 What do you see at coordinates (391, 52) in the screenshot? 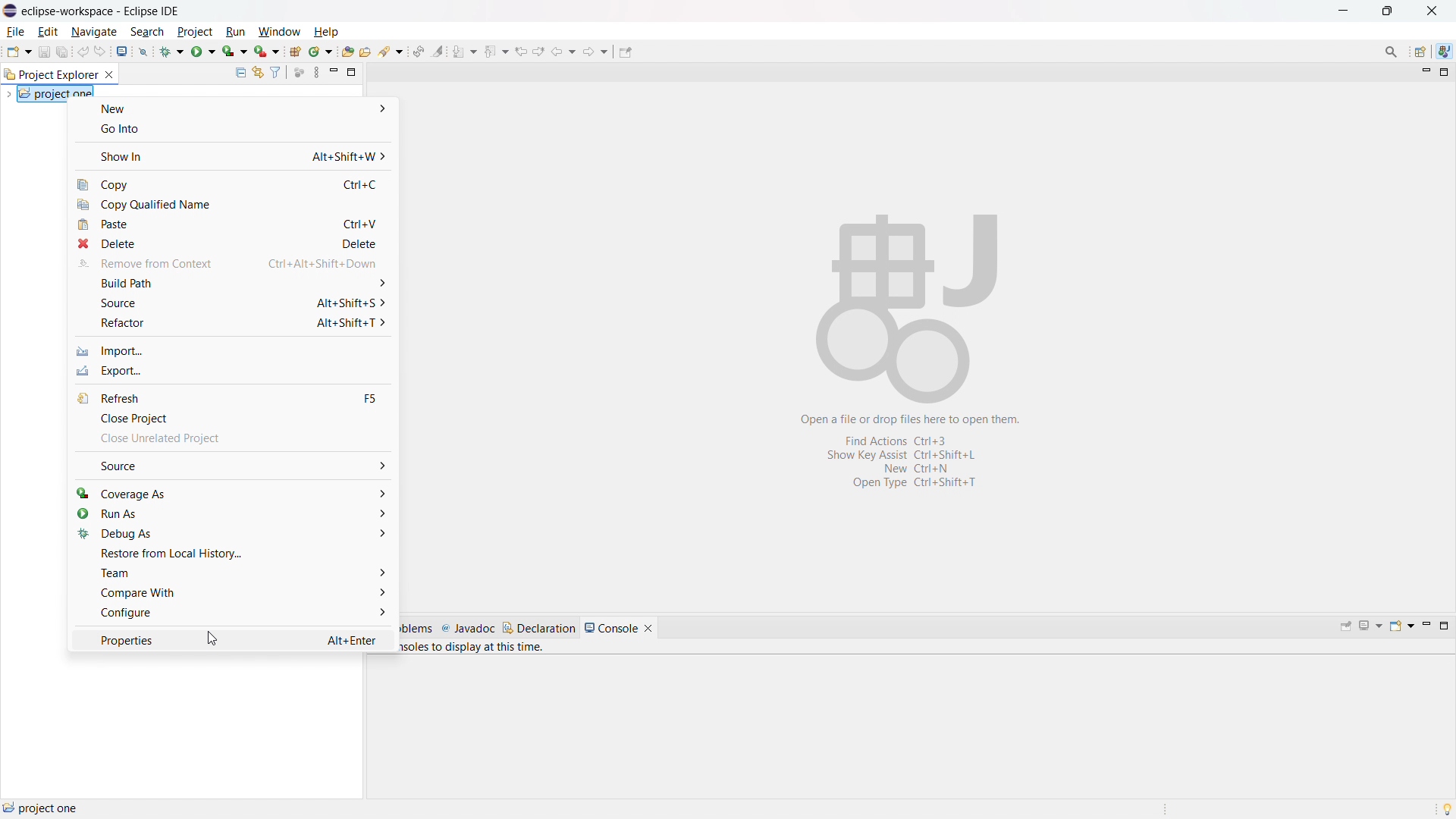
I see `search` at bounding box center [391, 52].